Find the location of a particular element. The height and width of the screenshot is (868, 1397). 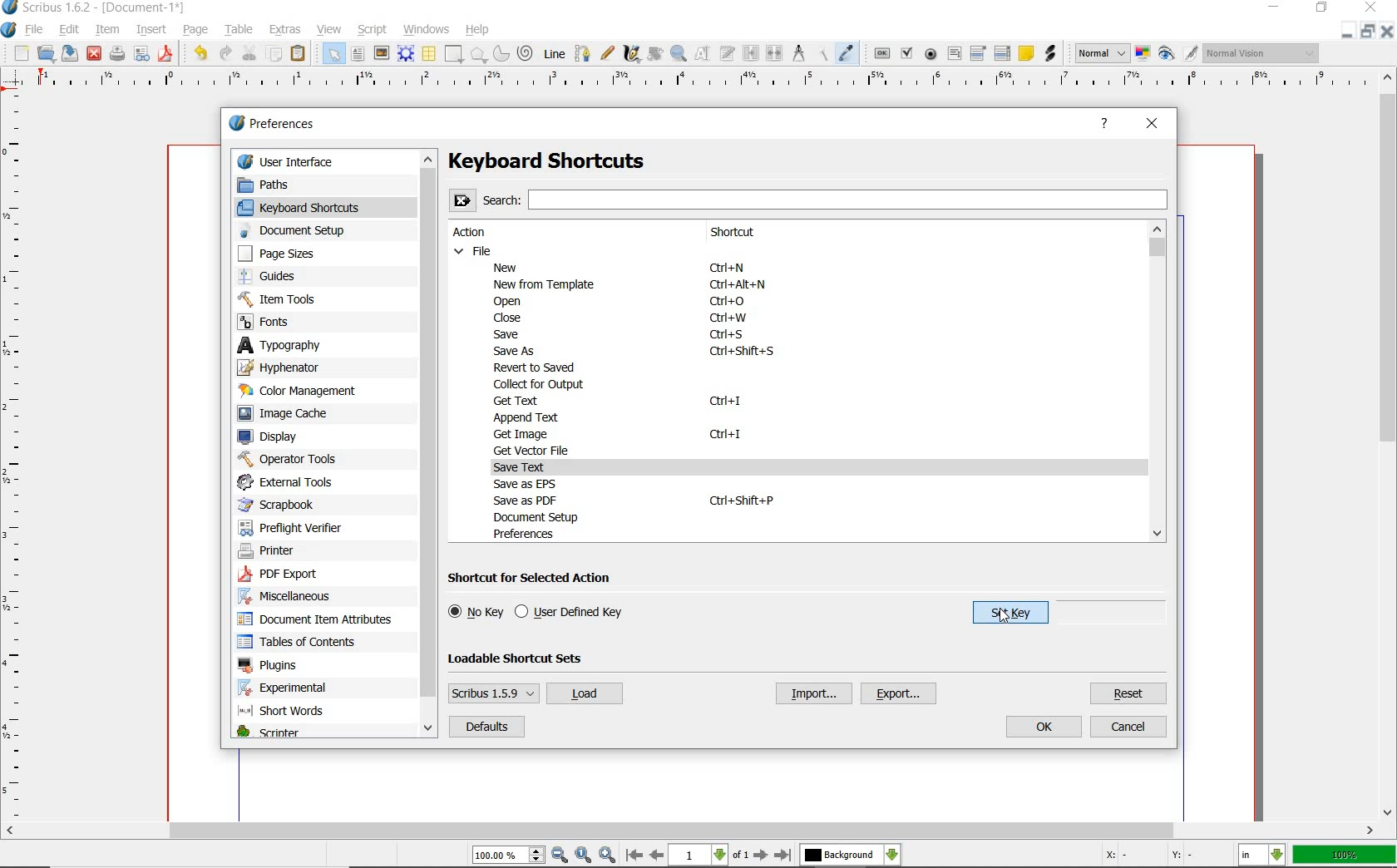

preview mode is located at coordinates (1177, 53).